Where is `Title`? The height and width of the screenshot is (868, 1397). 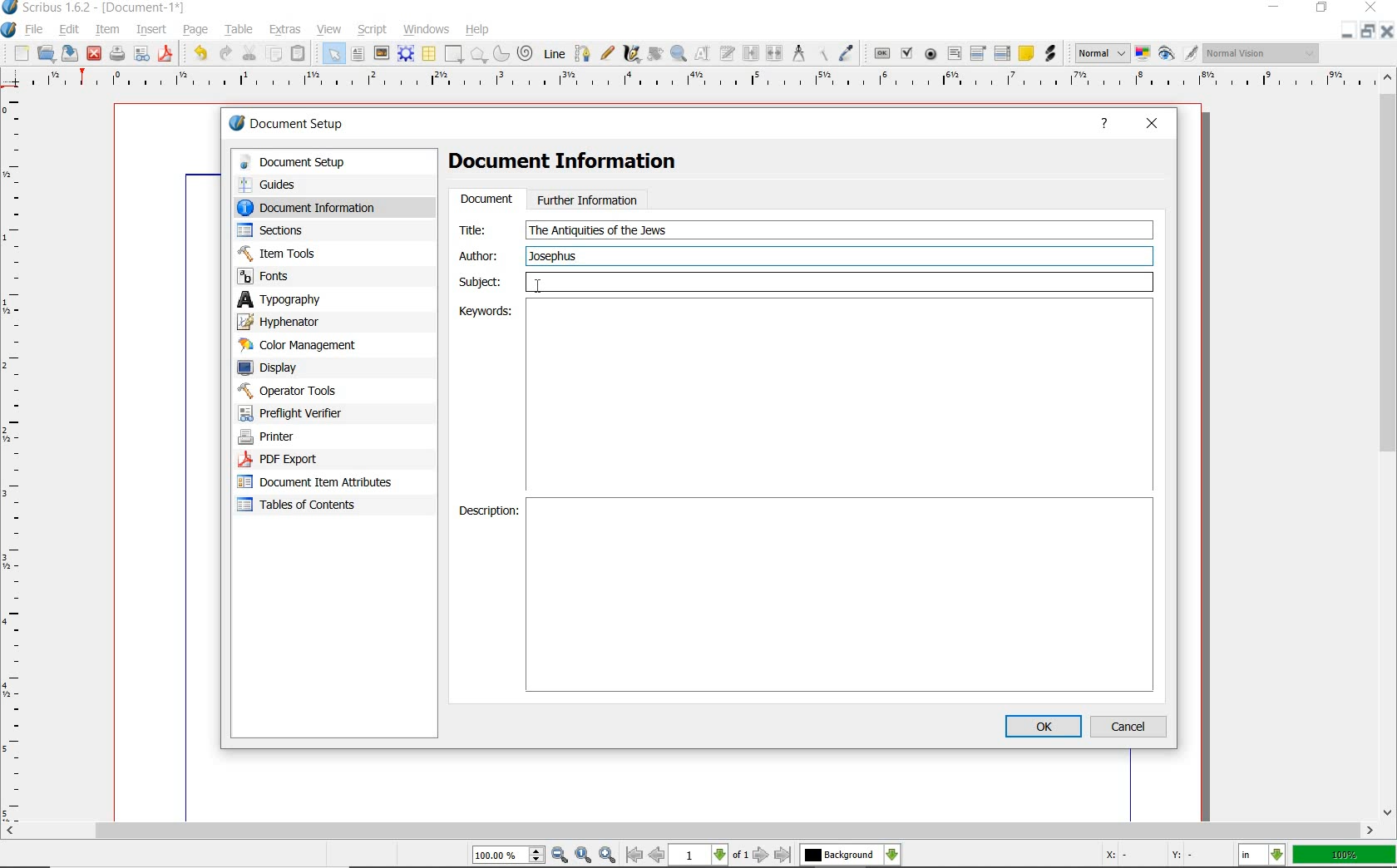
Title is located at coordinates (483, 229).